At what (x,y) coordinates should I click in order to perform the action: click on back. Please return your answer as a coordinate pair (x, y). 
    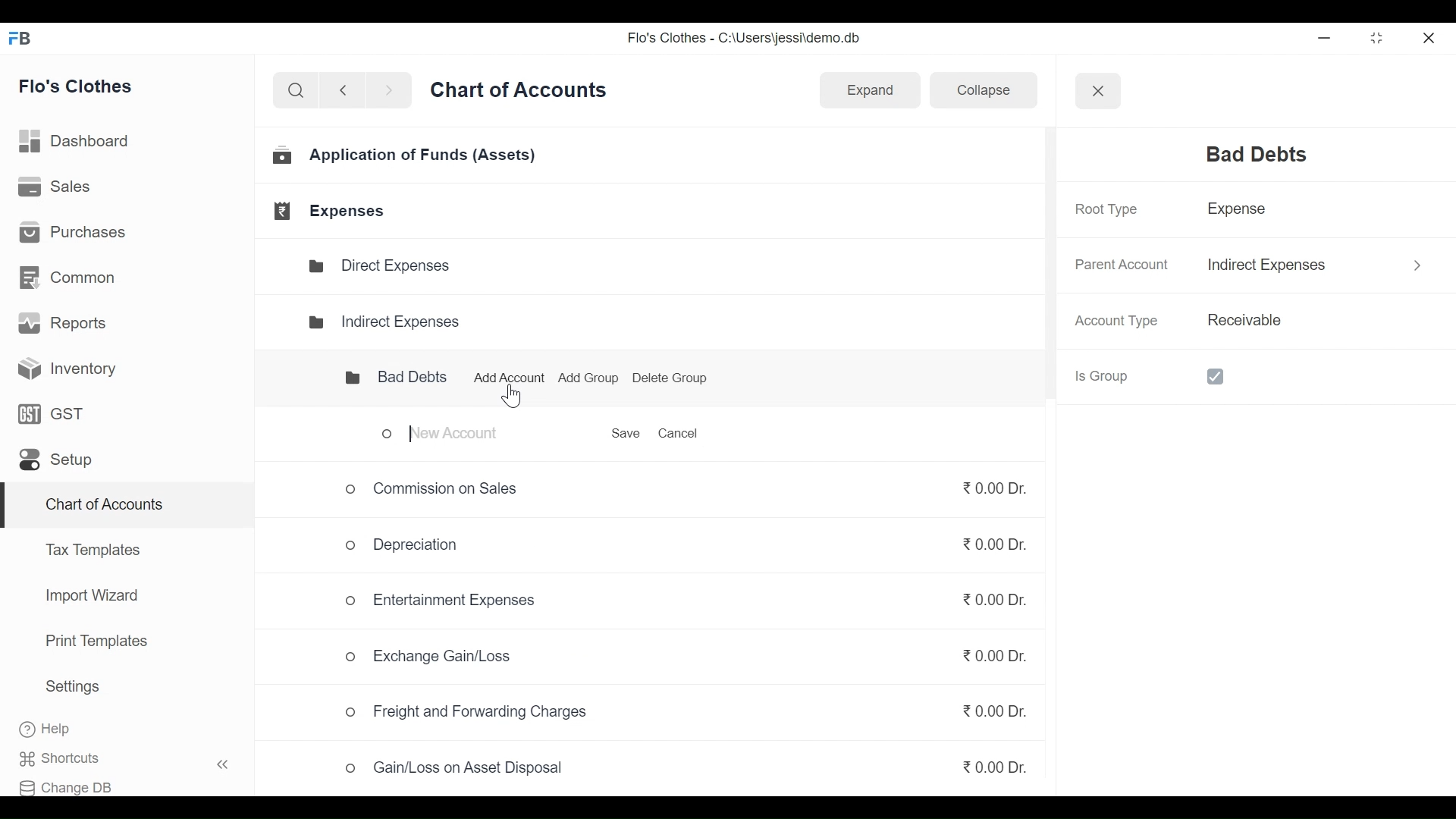
    Looking at the image, I should click on (349, 93).